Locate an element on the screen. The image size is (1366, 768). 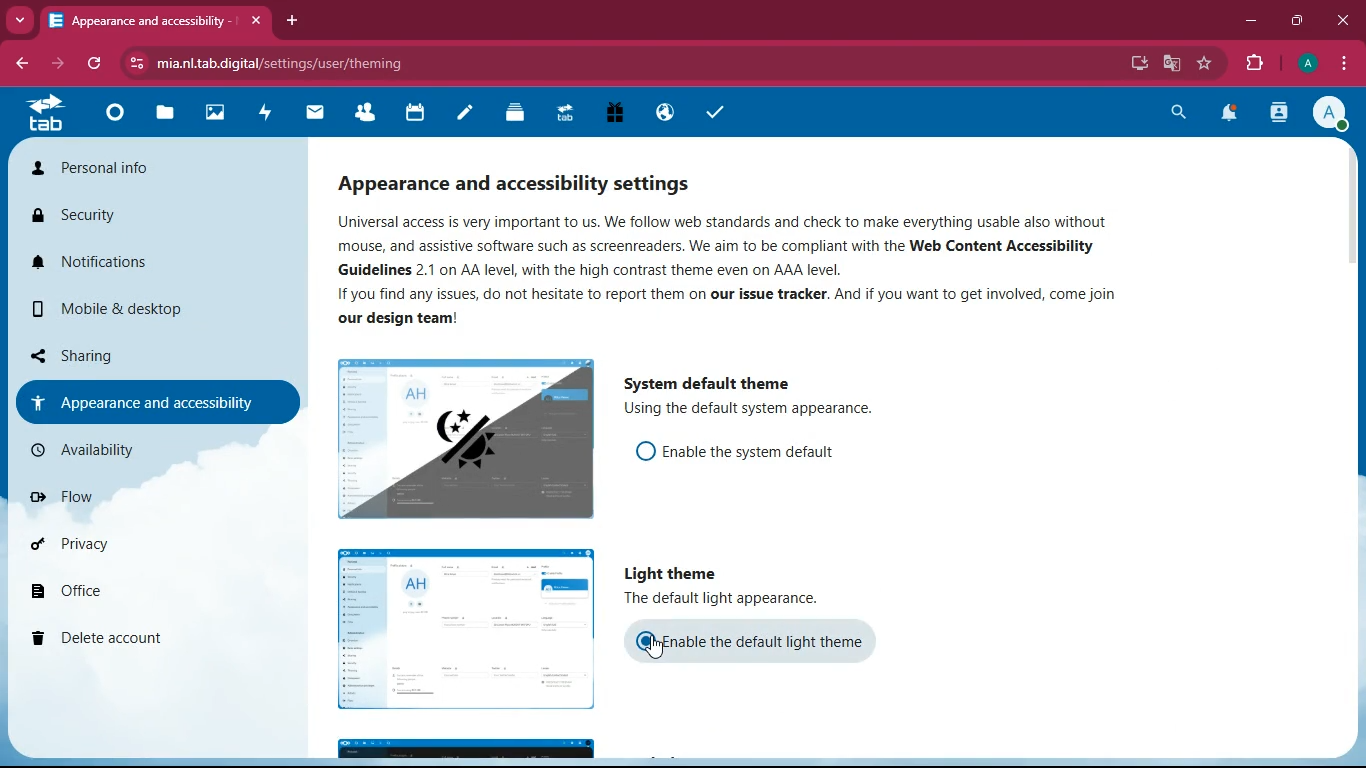
notes is located at coordinates (460, 115).